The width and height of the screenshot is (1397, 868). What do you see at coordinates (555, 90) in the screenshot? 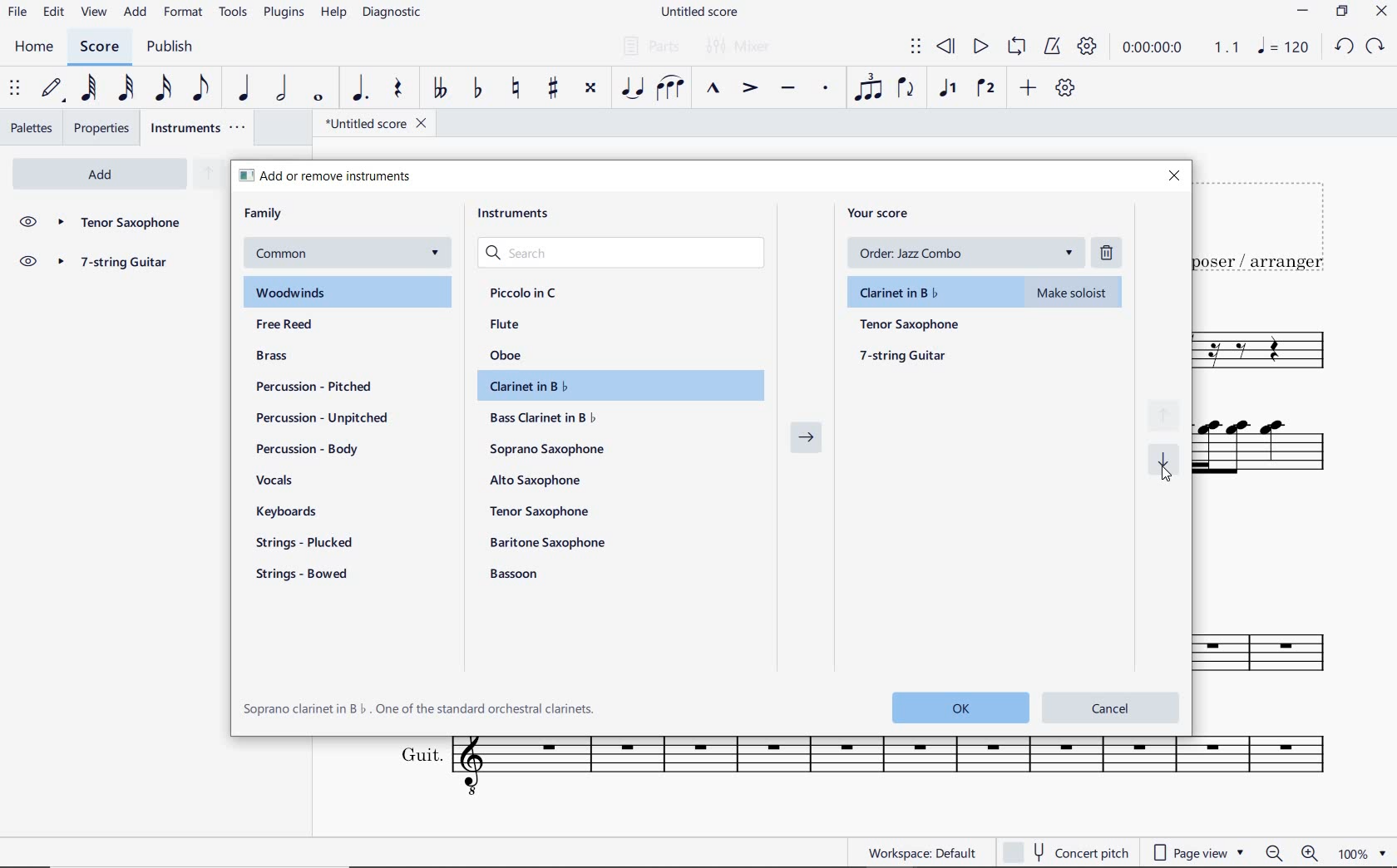
I see `TOGGLE SHARP` at bounding box center [555, 90].